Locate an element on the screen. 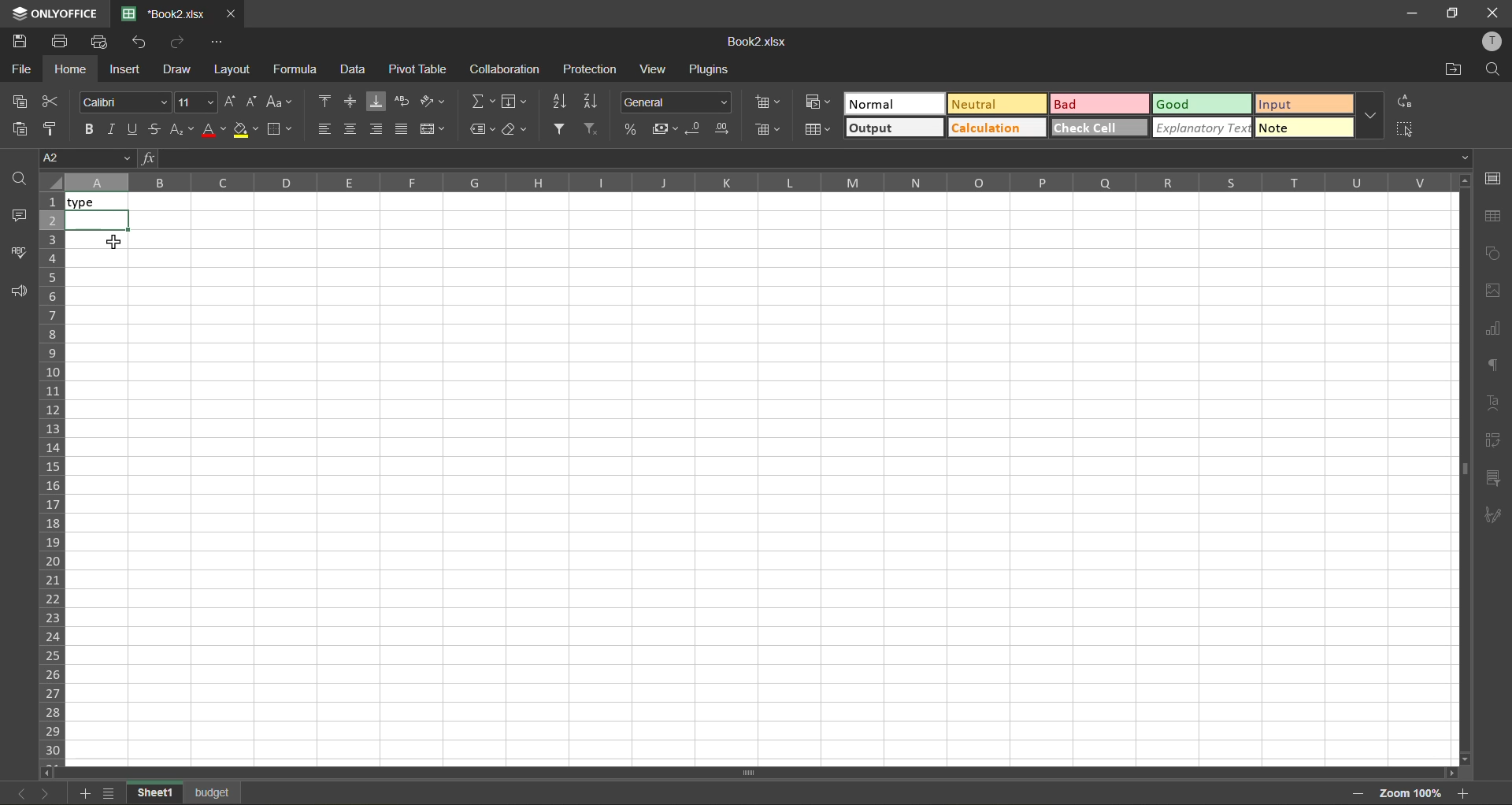  underline is located at coordinates (135, 131).